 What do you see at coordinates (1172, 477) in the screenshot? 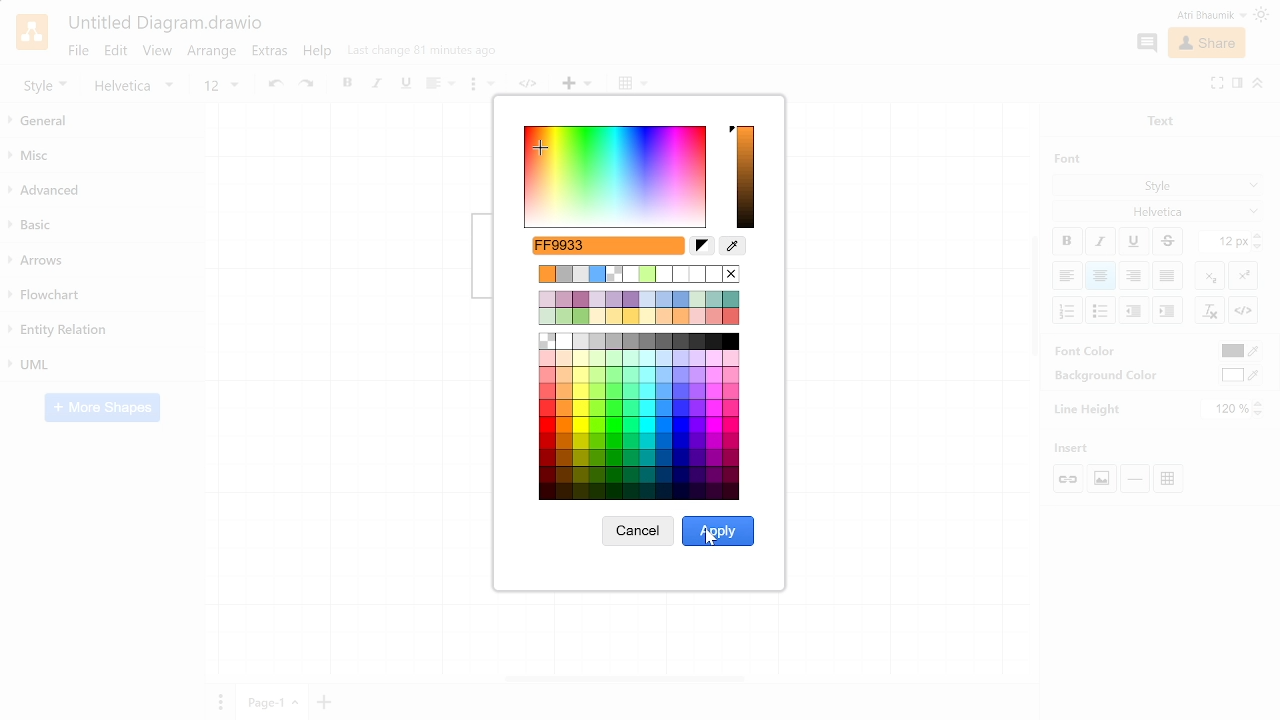
I see `Table` at bounding box center [1172, 477].